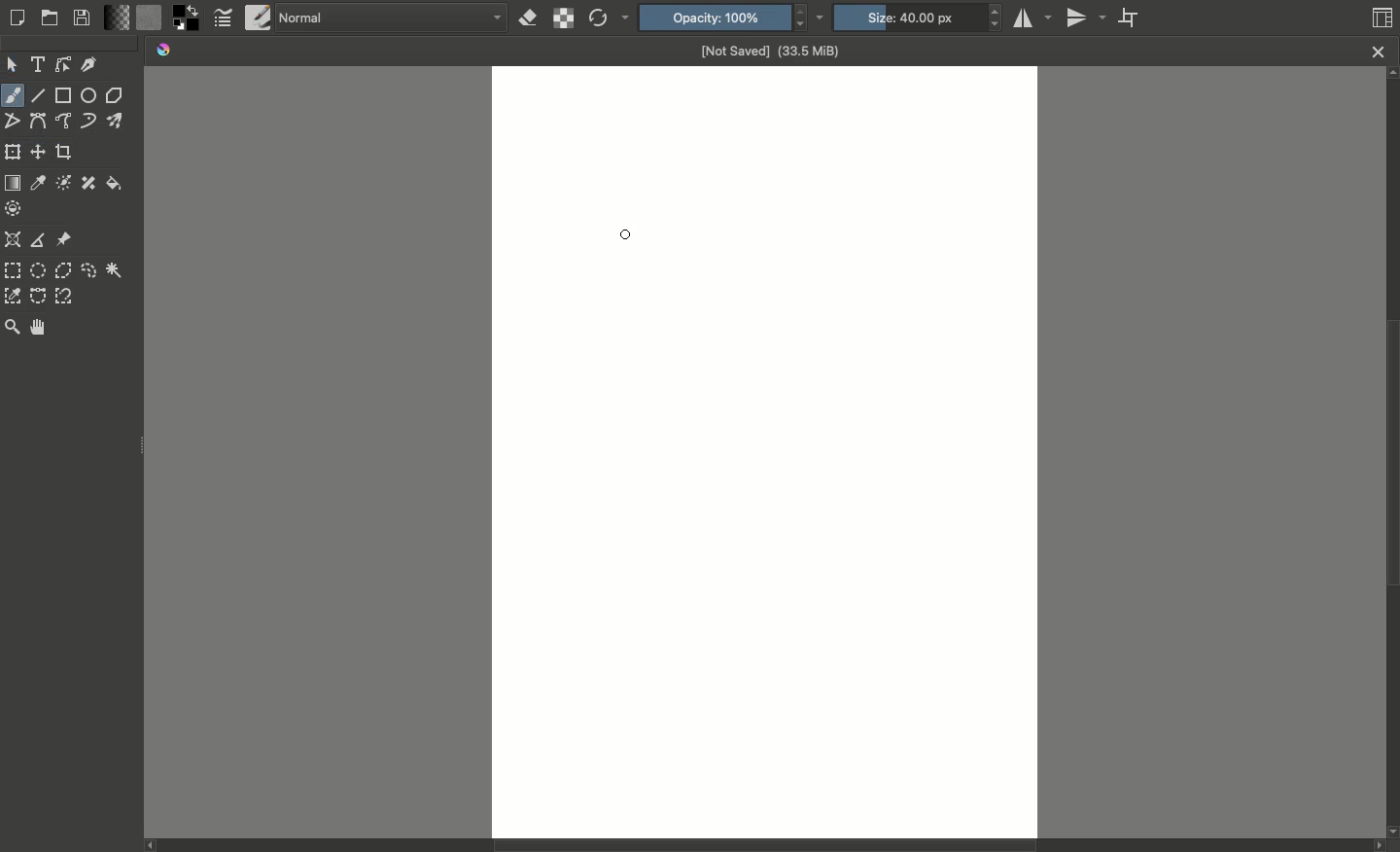 The image size is (1400, 852). Describe the element at coordinates (18, 18) in the screenshot. I see `Create new document ` at that location.